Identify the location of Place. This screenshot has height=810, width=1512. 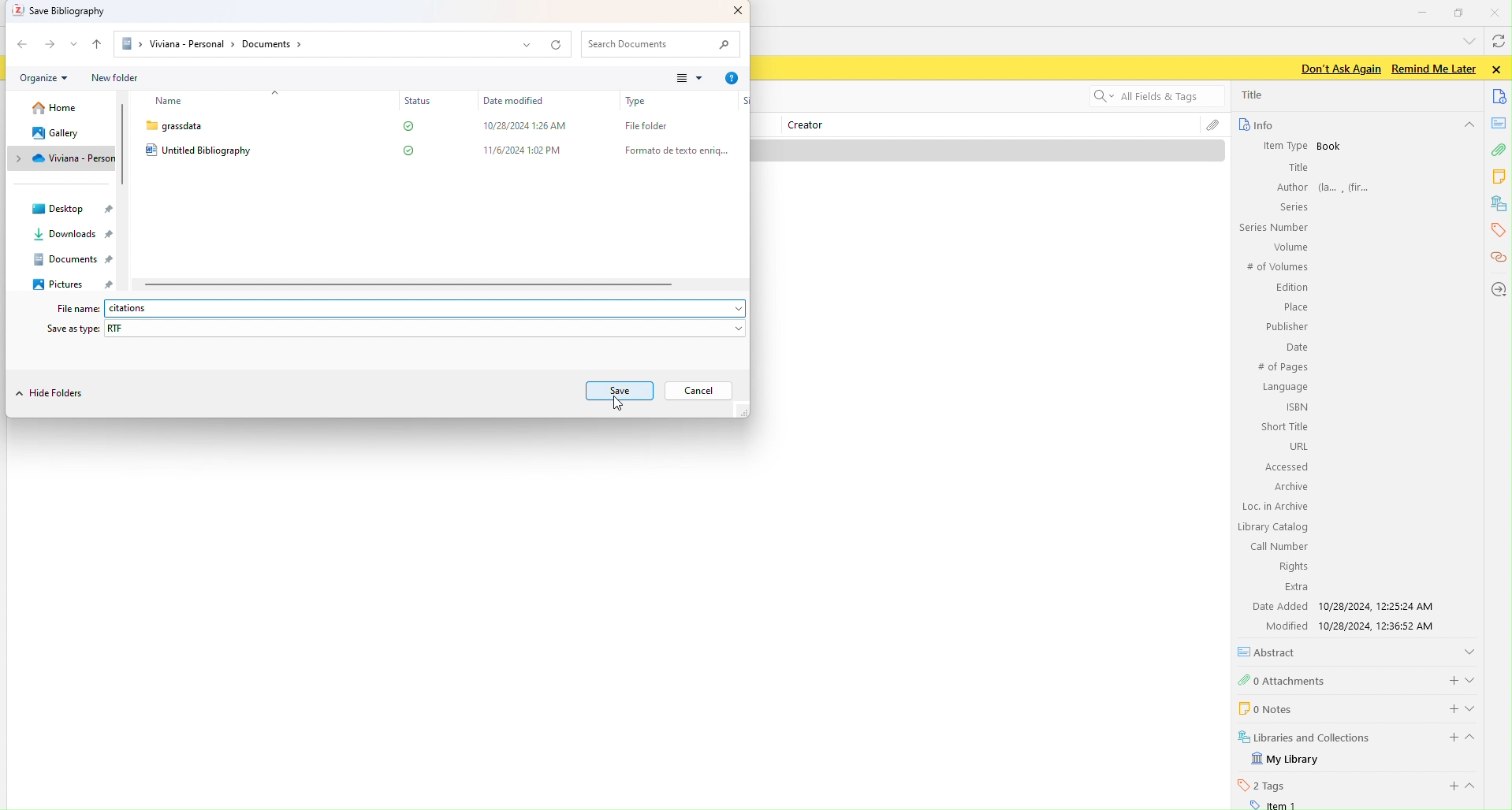
(1294, 307).